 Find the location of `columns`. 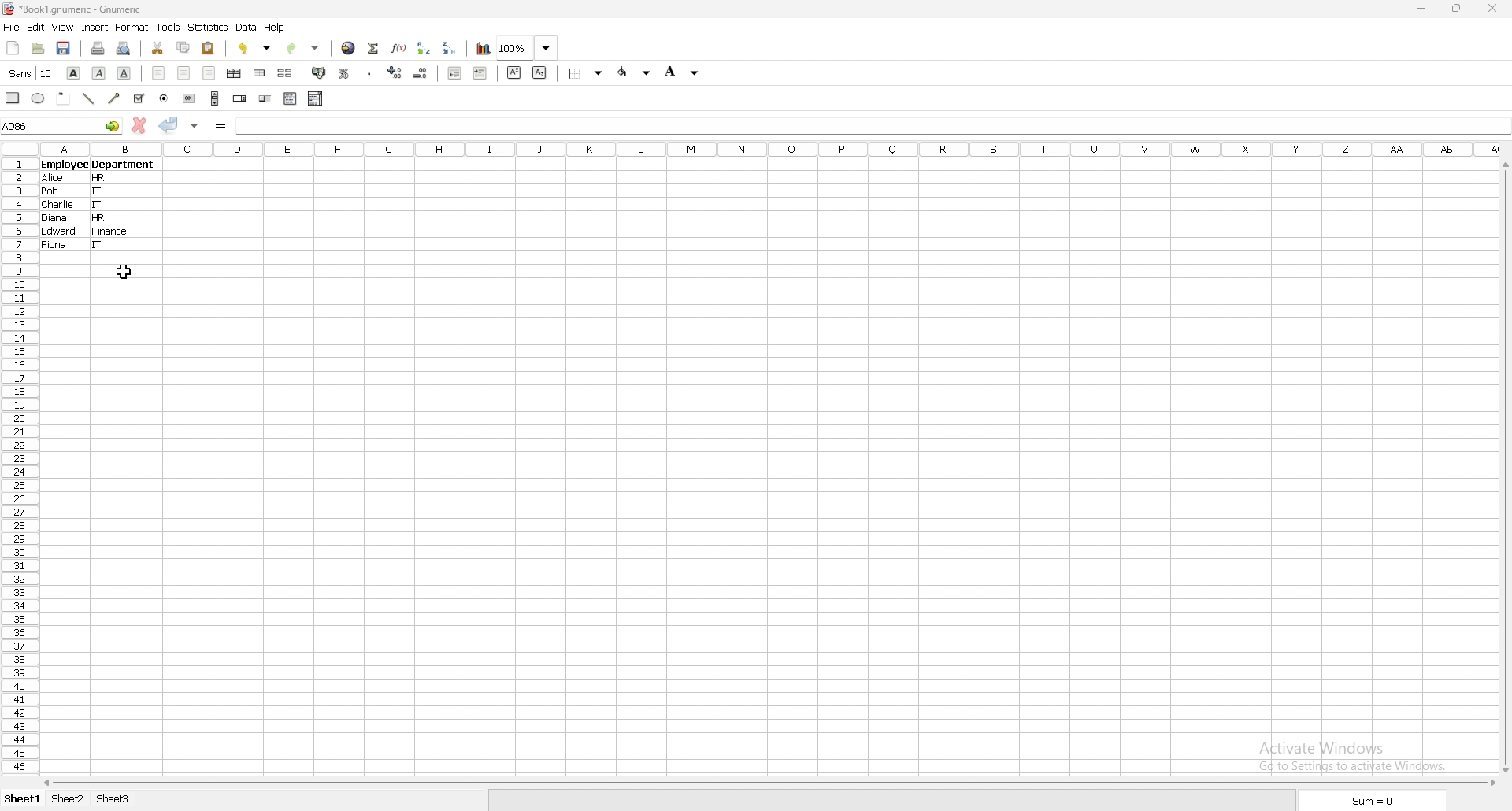

columns is located at coordinates (776, 150).